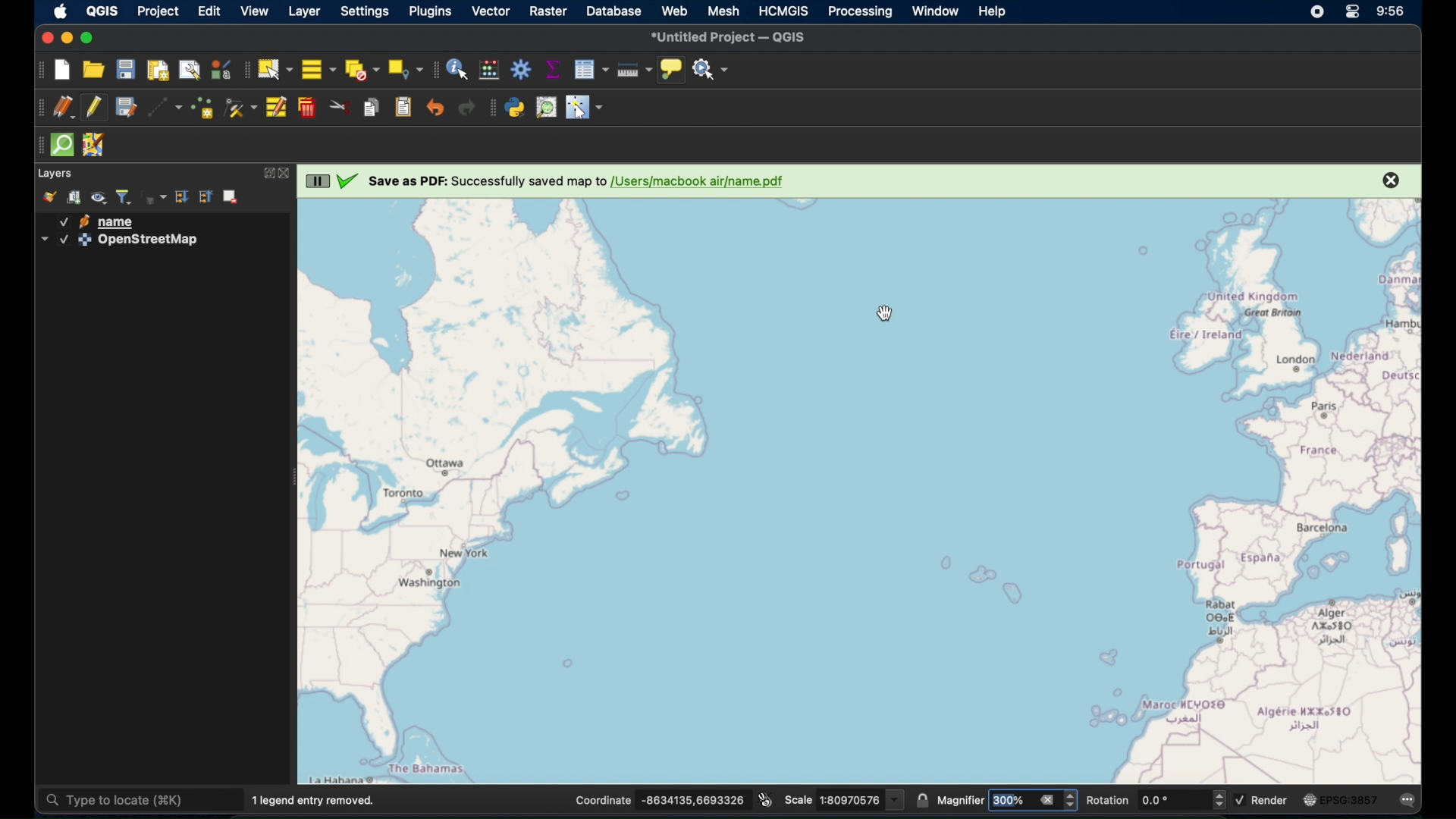  I want to click on current csr, so click(1341, 800).